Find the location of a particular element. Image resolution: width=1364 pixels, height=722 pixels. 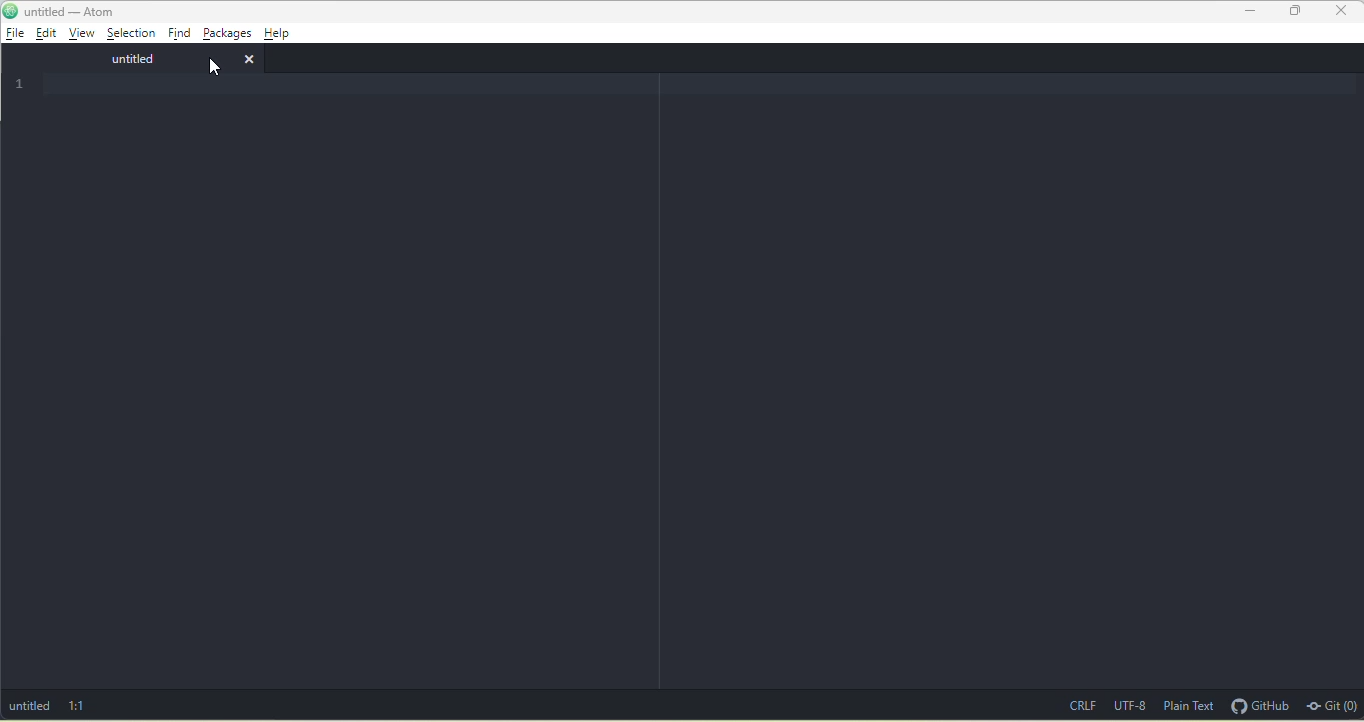

untitled is located at coordinates (32, 707).